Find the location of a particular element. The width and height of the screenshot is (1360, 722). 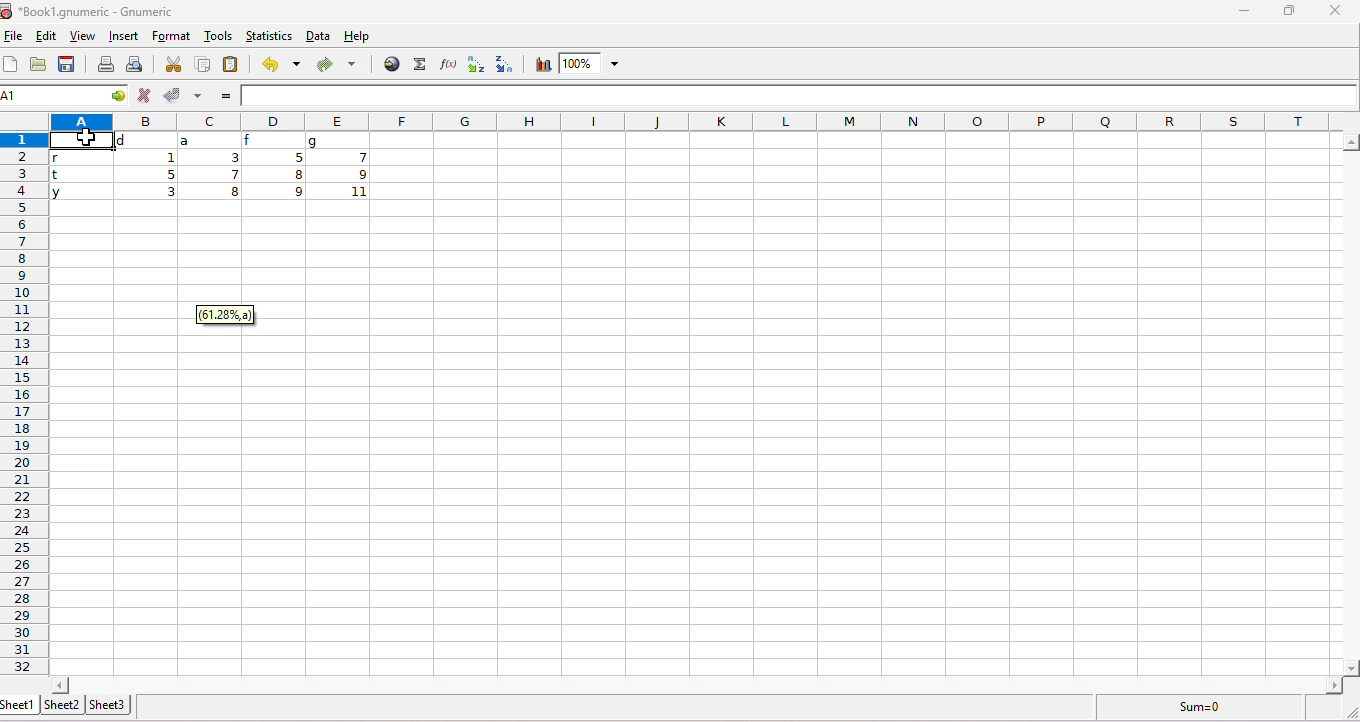

edit is located at coordinates (43, 37).